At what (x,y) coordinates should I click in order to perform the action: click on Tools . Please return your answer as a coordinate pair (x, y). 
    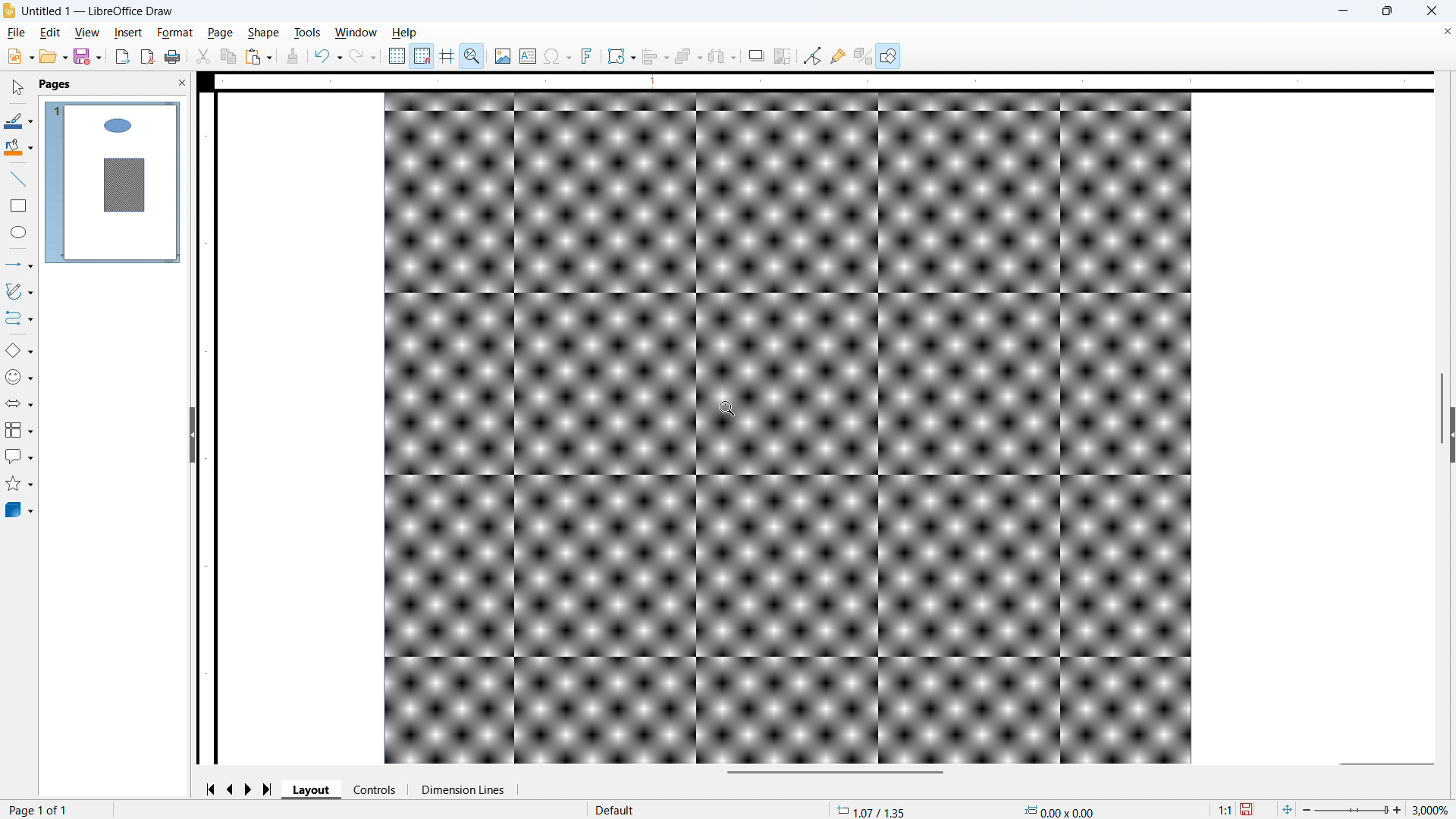
    Looking at the image, I should click on (306, 33).